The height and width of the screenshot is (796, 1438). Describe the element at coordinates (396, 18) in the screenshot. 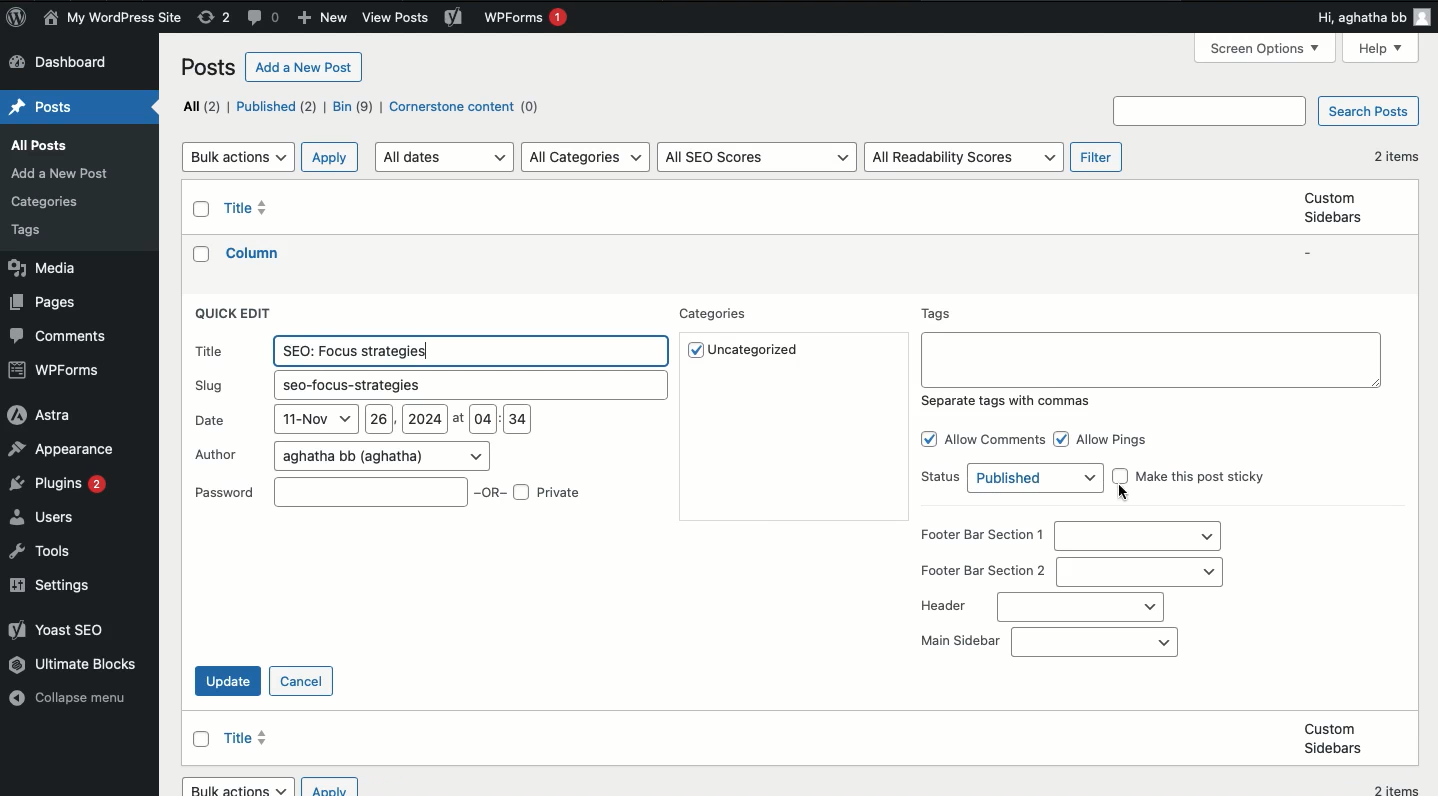

I see `View posts` at that location.